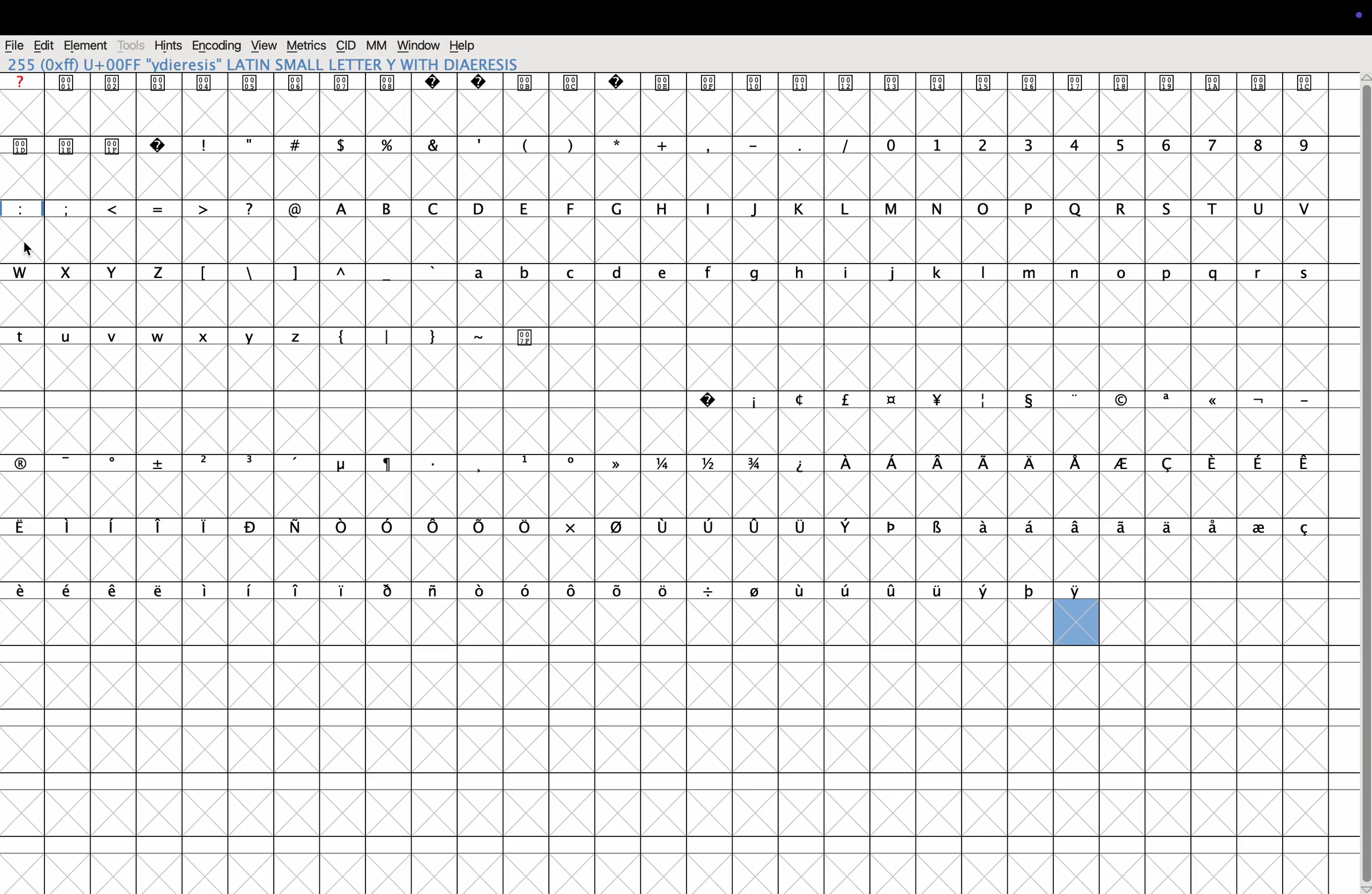 The width and height of the screenshot is (1372, 894). What do you see at coordinates (44, 45) in the screenshot?
I see `edit` at bounding box center [44, 45].